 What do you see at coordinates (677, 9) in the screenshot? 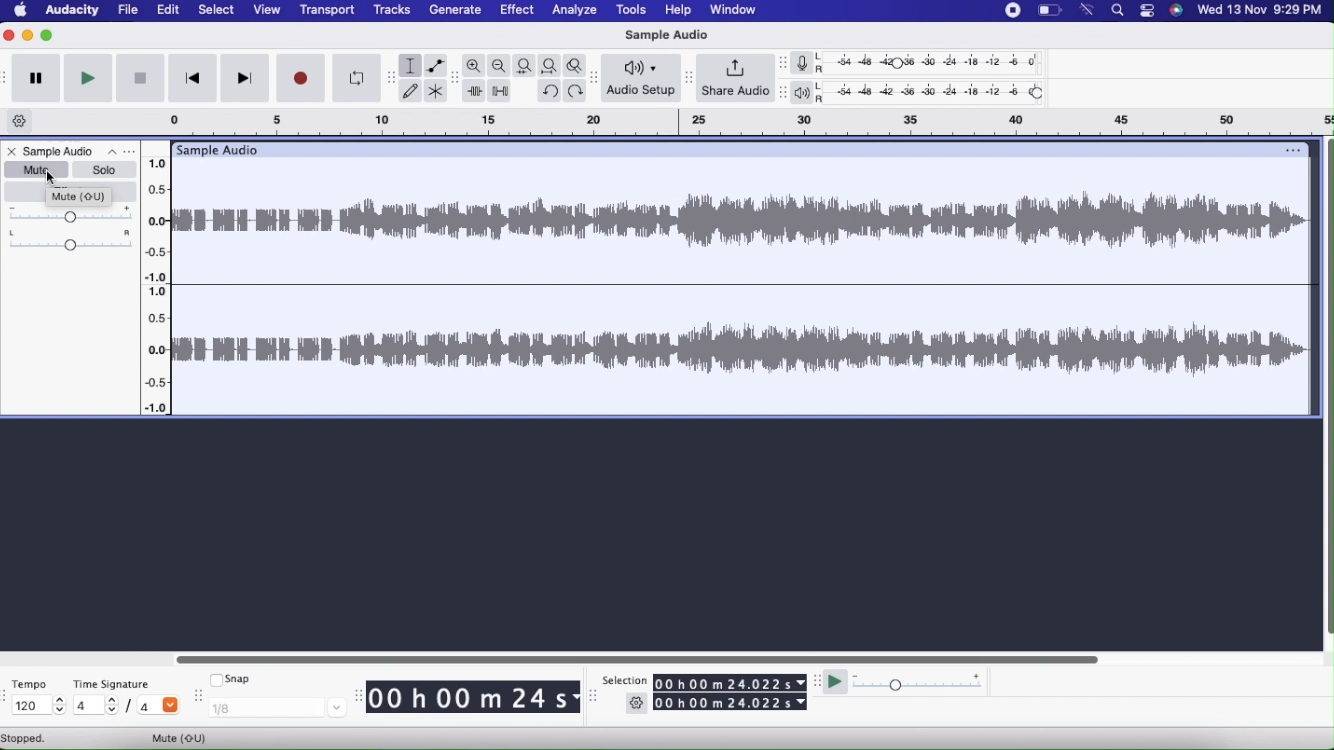
I see `Help` at bounding box center [677, 9].